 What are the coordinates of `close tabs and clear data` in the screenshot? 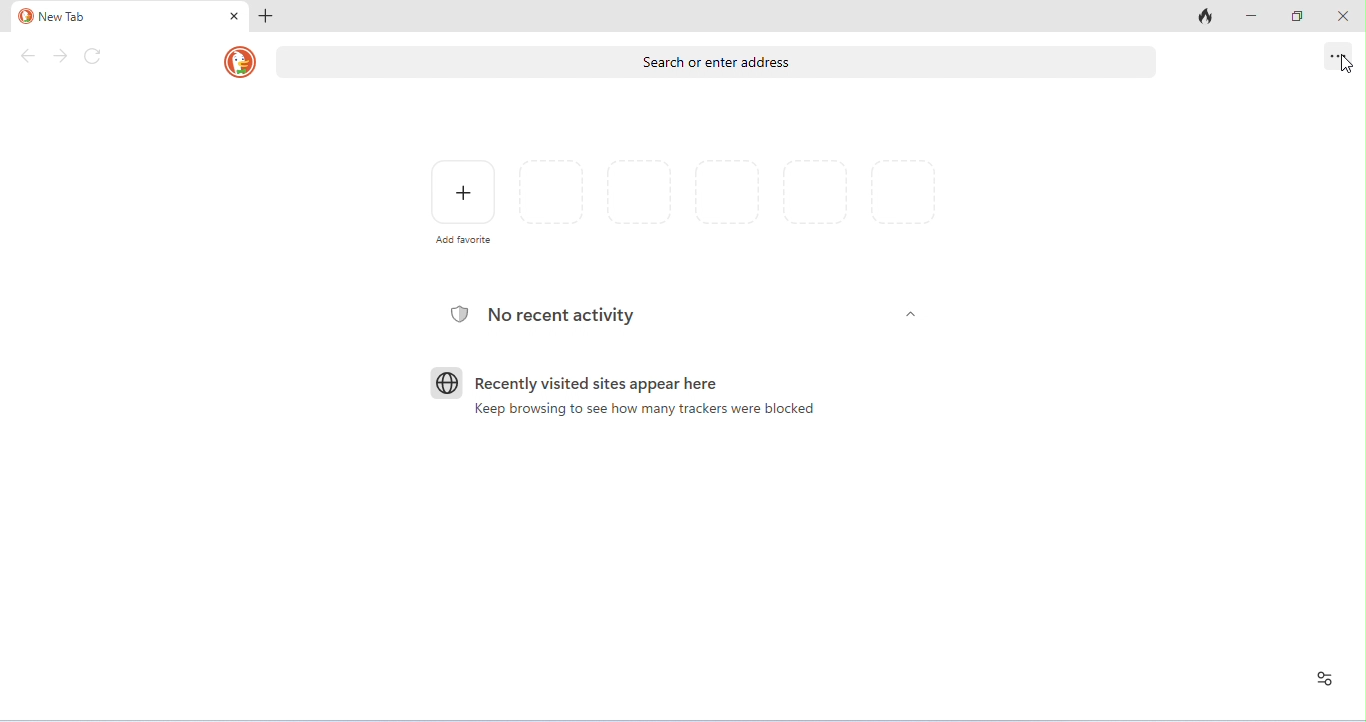 It's located at (1202, 17).